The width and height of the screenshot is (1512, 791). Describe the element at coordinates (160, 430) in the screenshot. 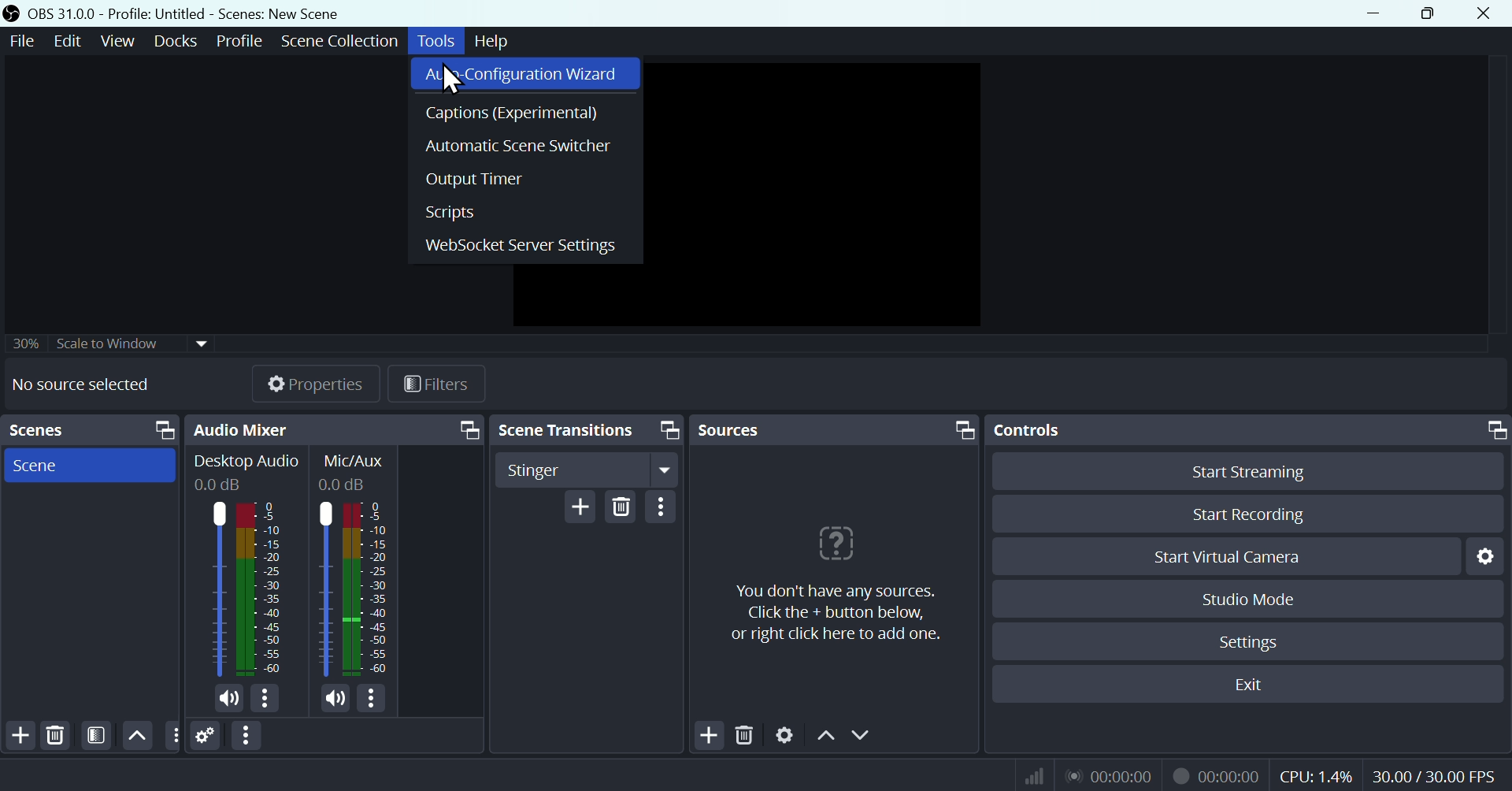

I see `screen resize` at that location.